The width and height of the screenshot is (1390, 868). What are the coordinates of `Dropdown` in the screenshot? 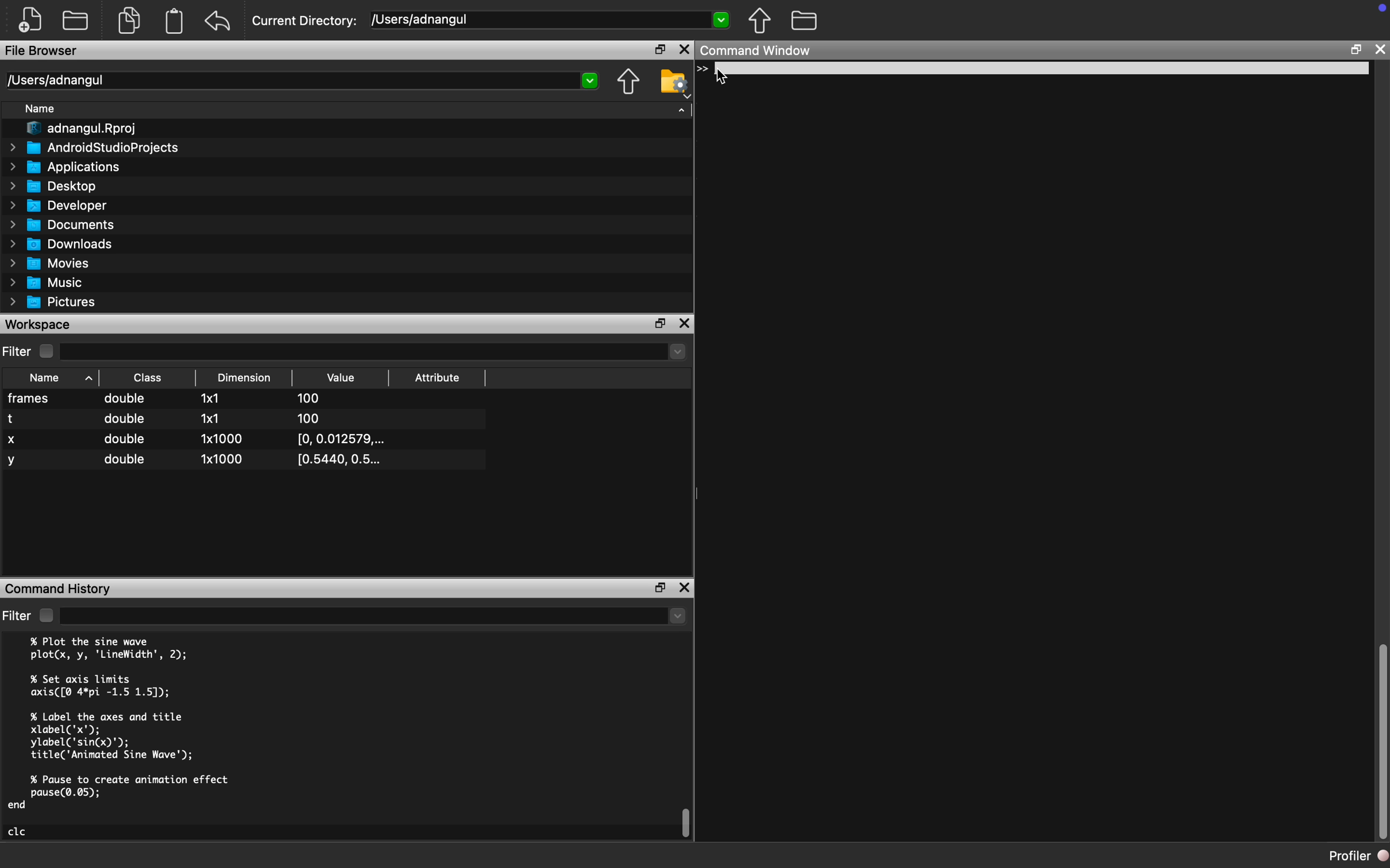 It's located at (374, 351).